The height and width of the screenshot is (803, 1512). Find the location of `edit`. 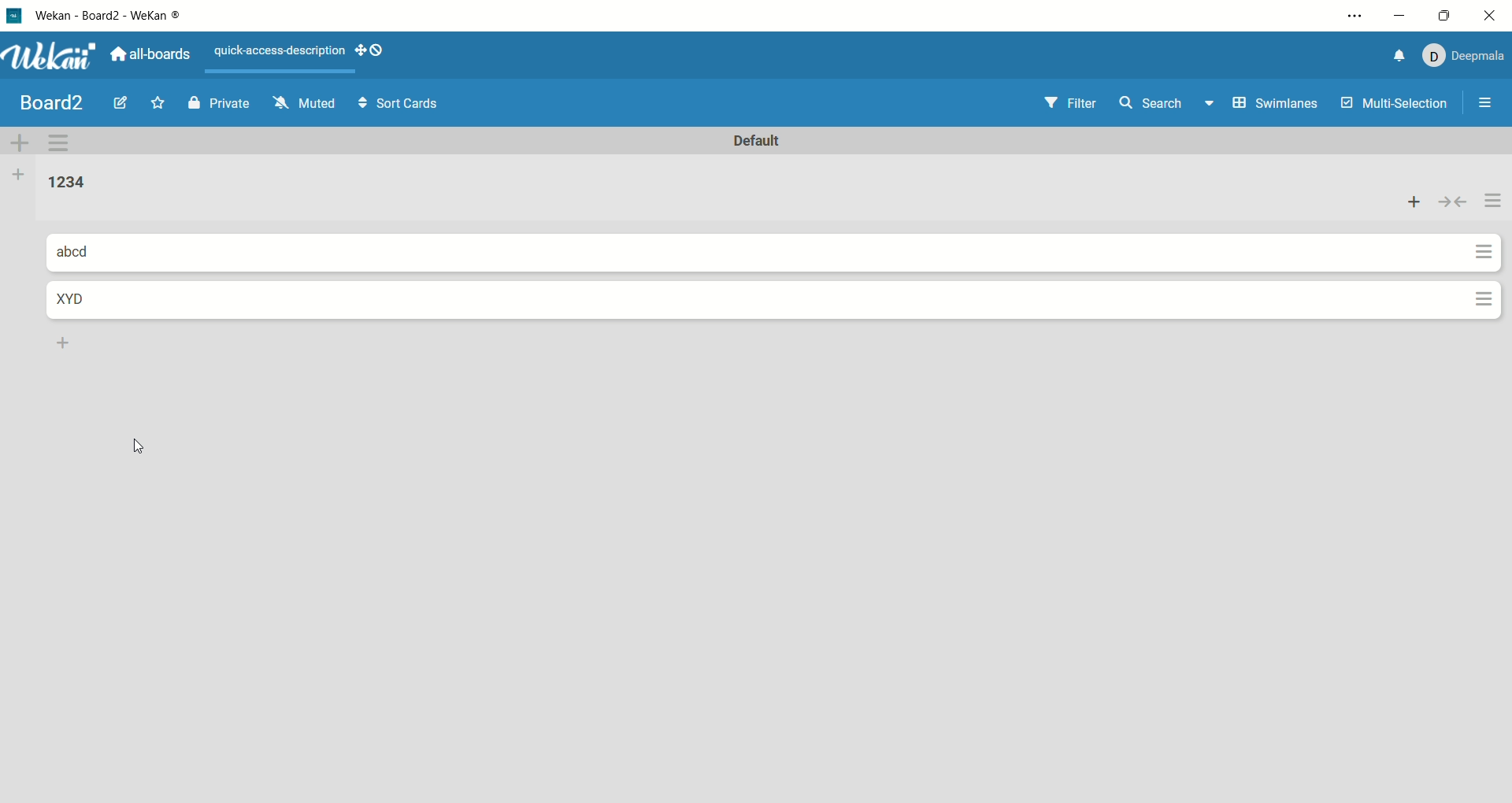

edit is located at coordinates (119, 105).